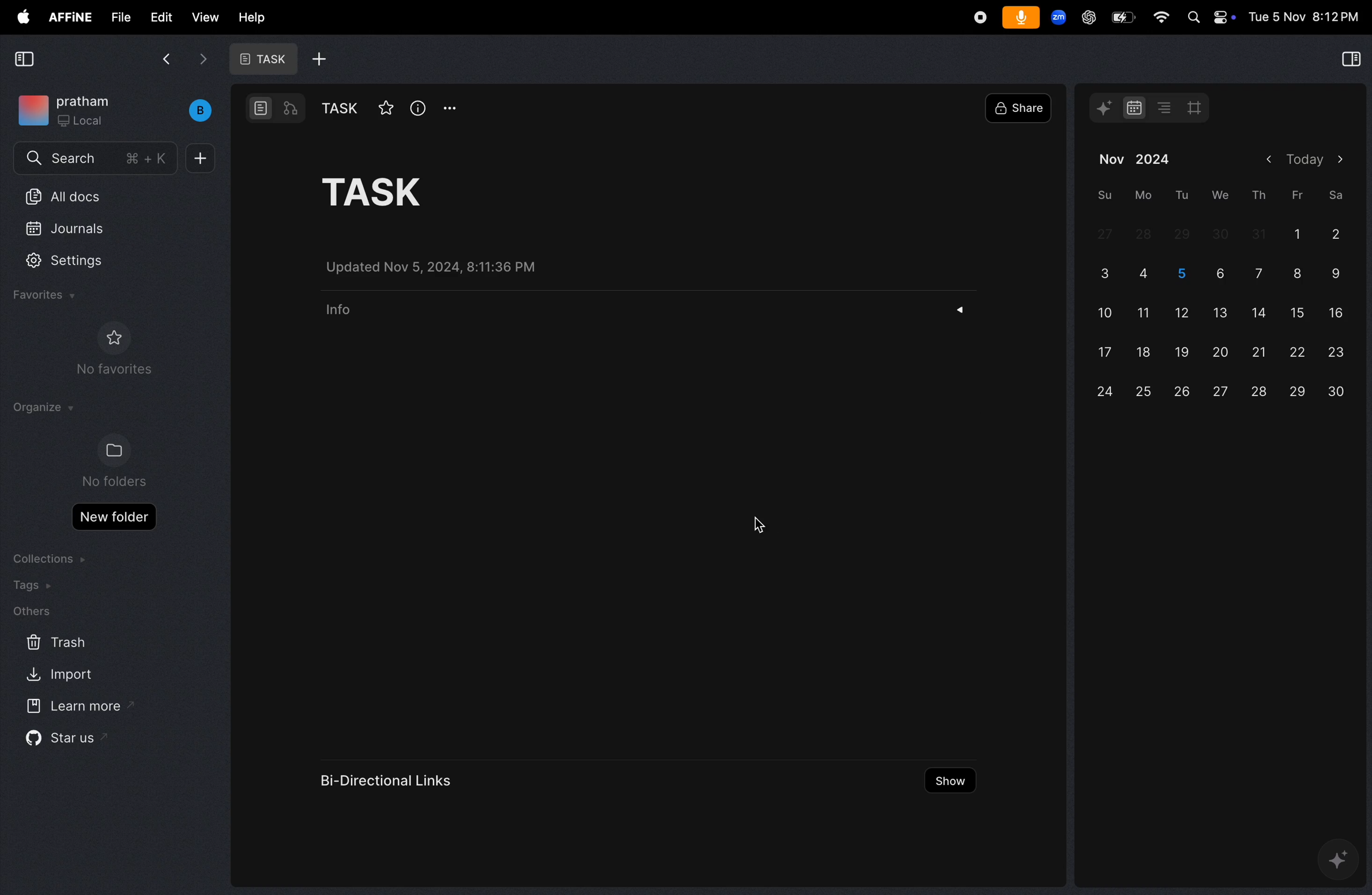  Describe the element at coordinates (52, 558) in the screenshot. I see `collection` at that location.